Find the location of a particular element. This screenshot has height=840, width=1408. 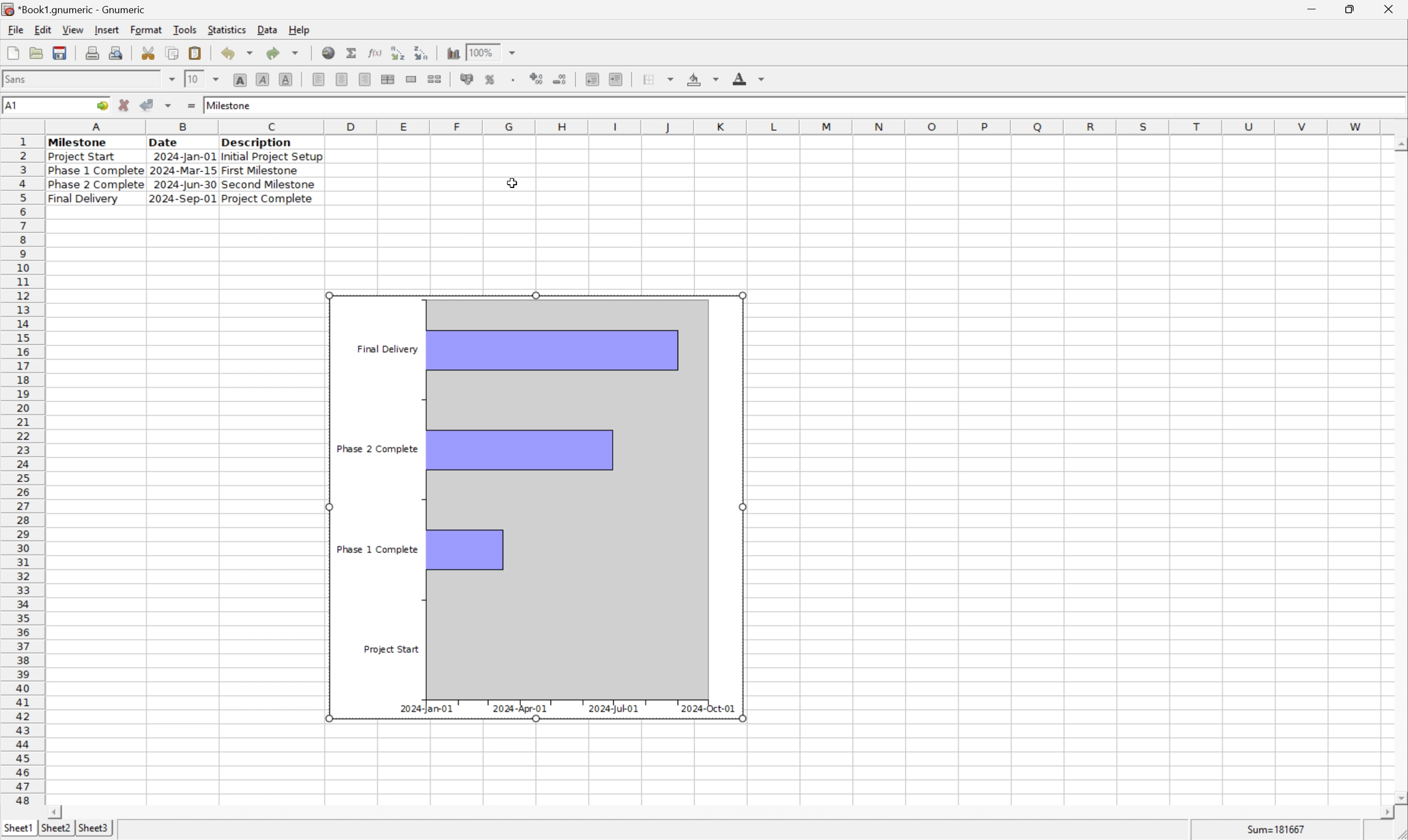

statistics is located at coordinates (228, 29).